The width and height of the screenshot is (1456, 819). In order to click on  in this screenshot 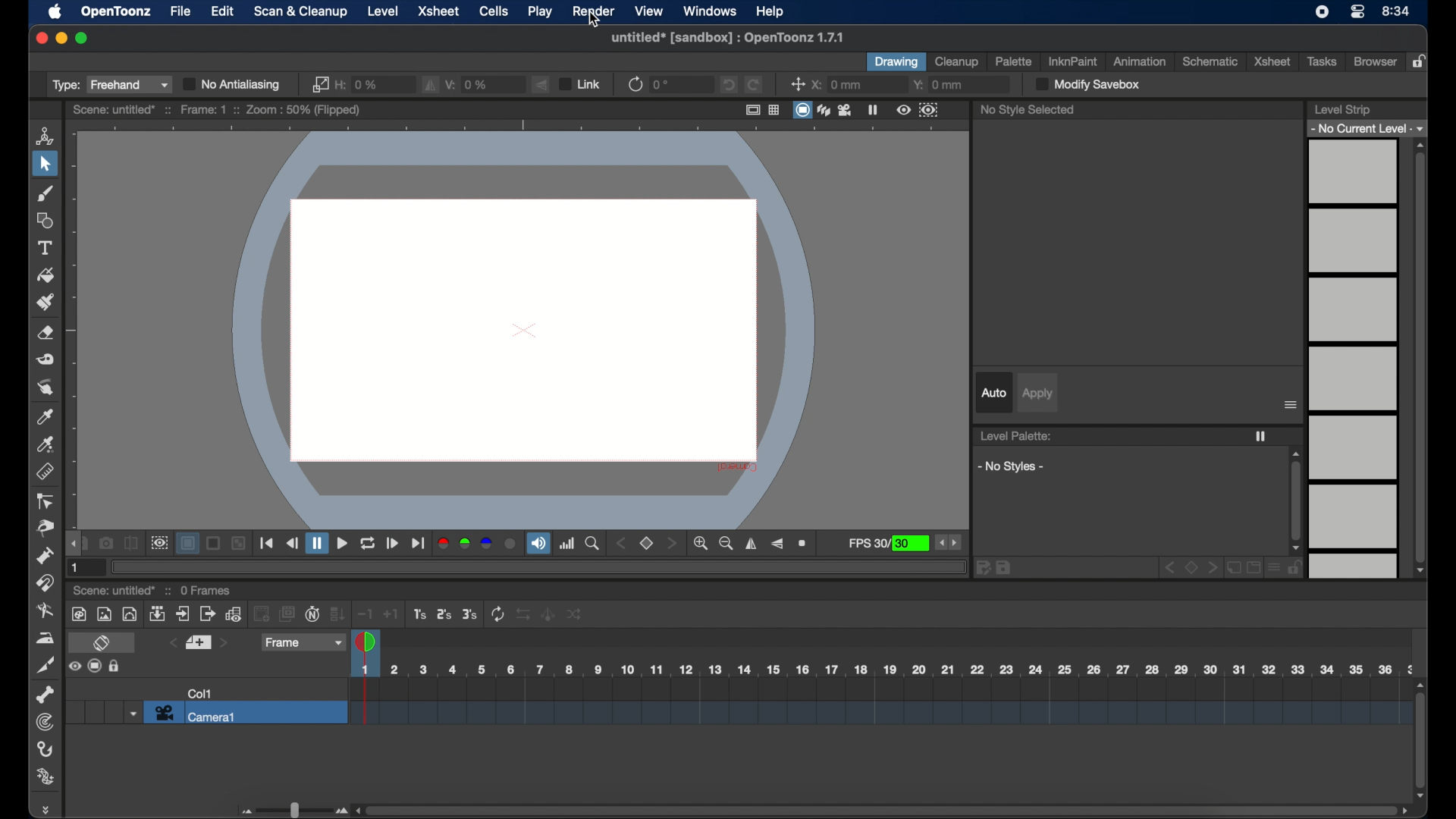, I will do `click(170, 591)`.